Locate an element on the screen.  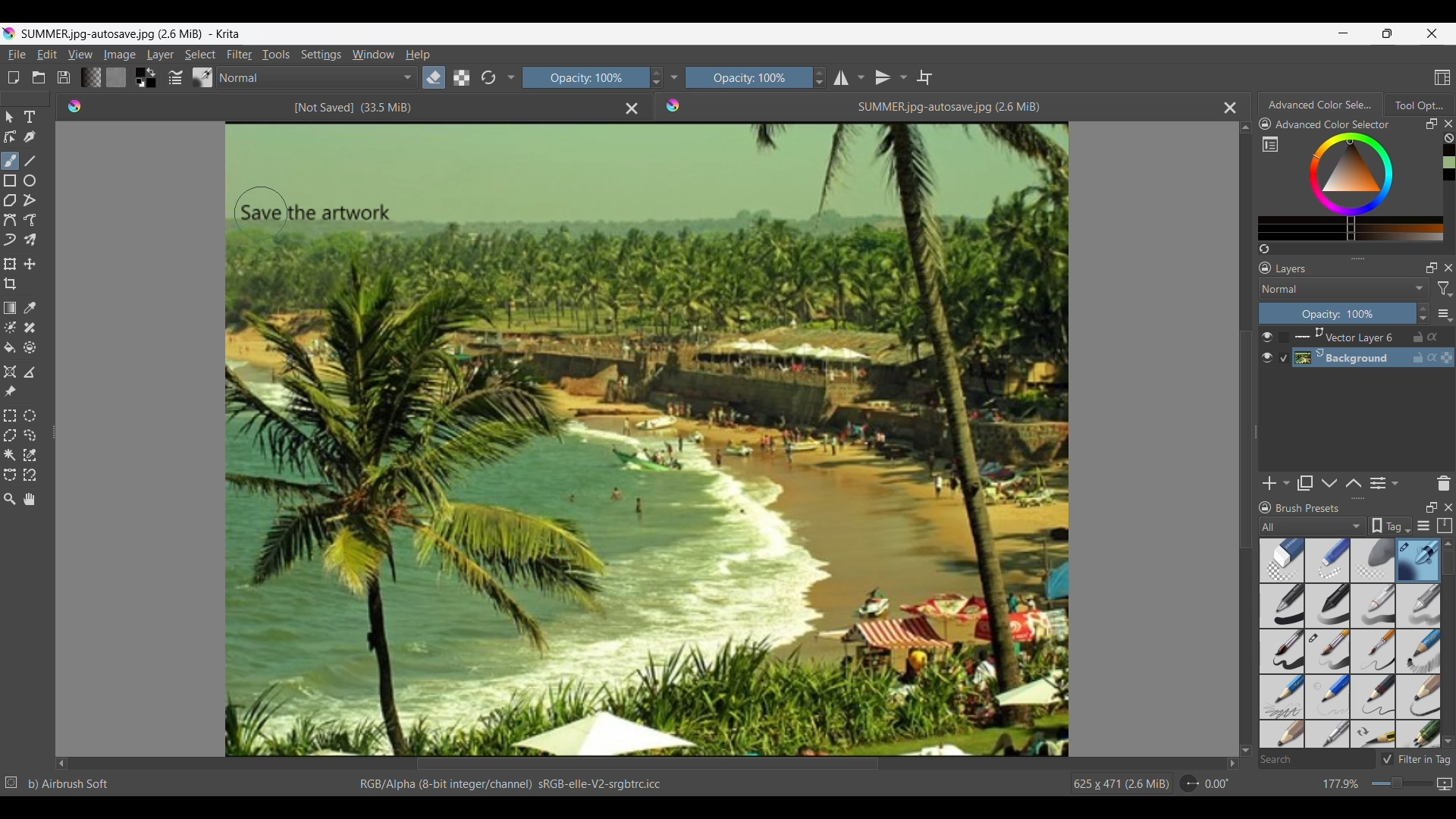
Brush preset options with selected brush highlighted is located at coordinates (1351, 644).